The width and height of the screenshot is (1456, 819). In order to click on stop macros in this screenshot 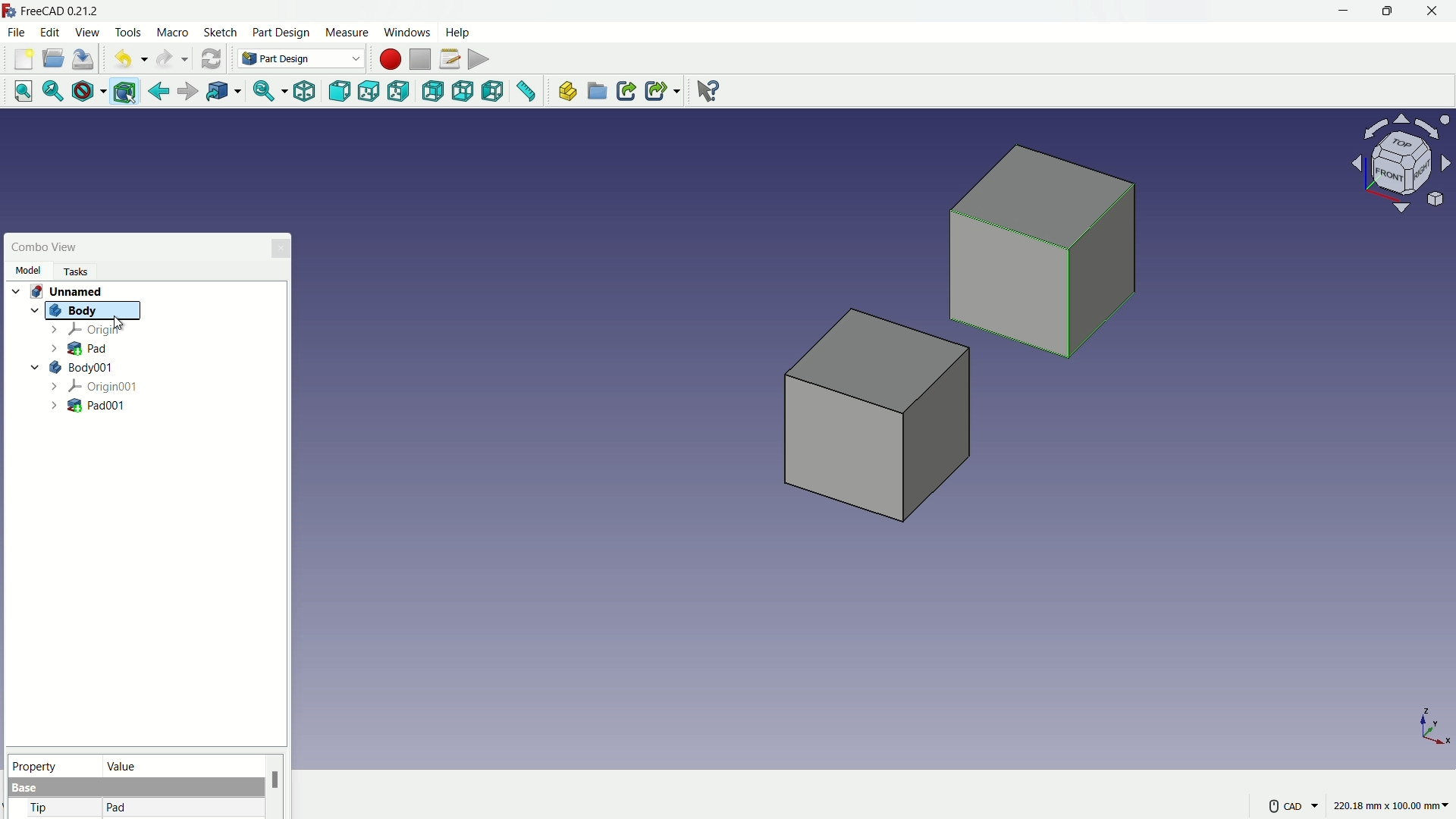, I will do `click(420, 60)`.